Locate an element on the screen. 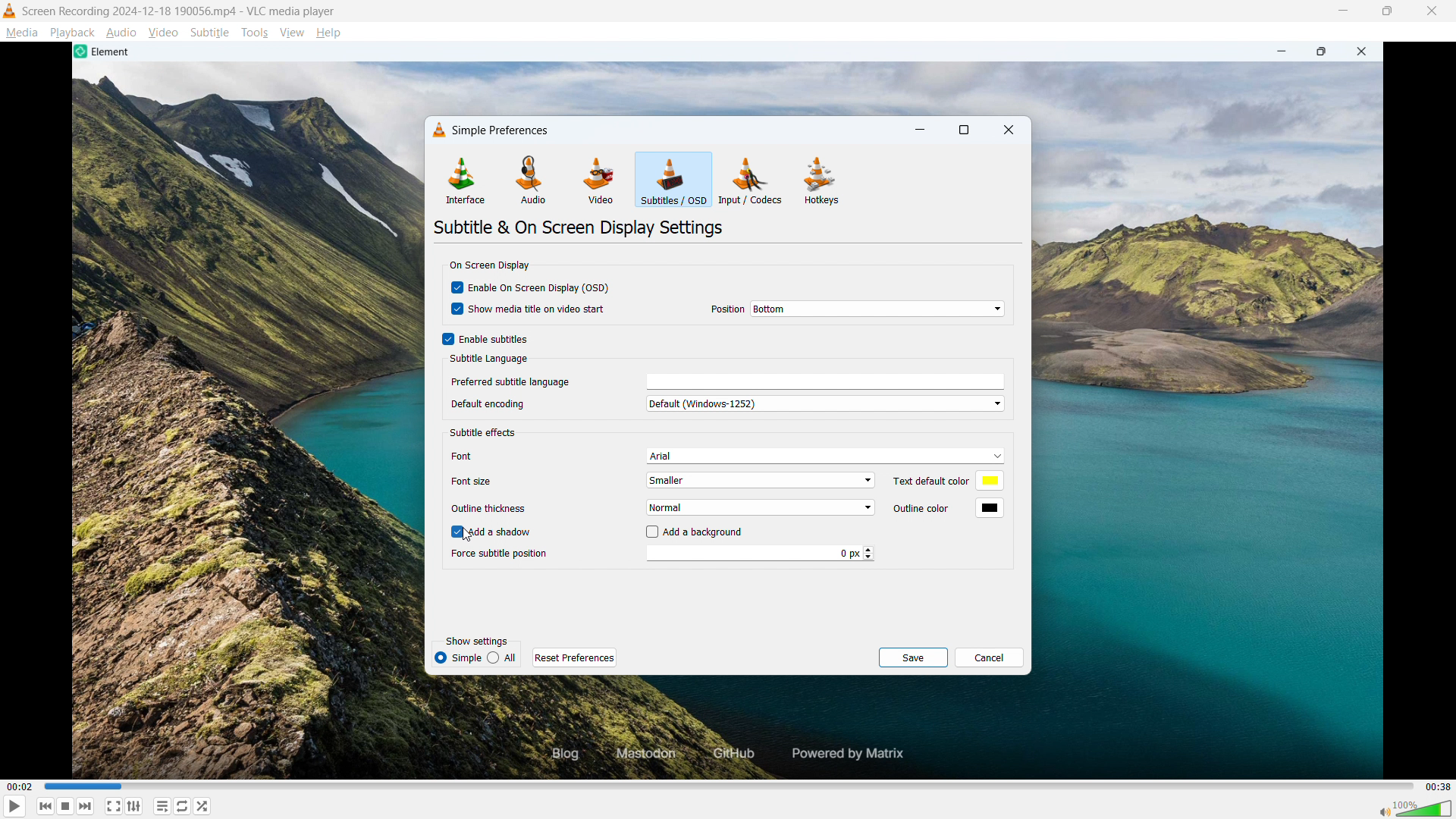  Maximise dialogue box  is located at coordinates (964, 130).